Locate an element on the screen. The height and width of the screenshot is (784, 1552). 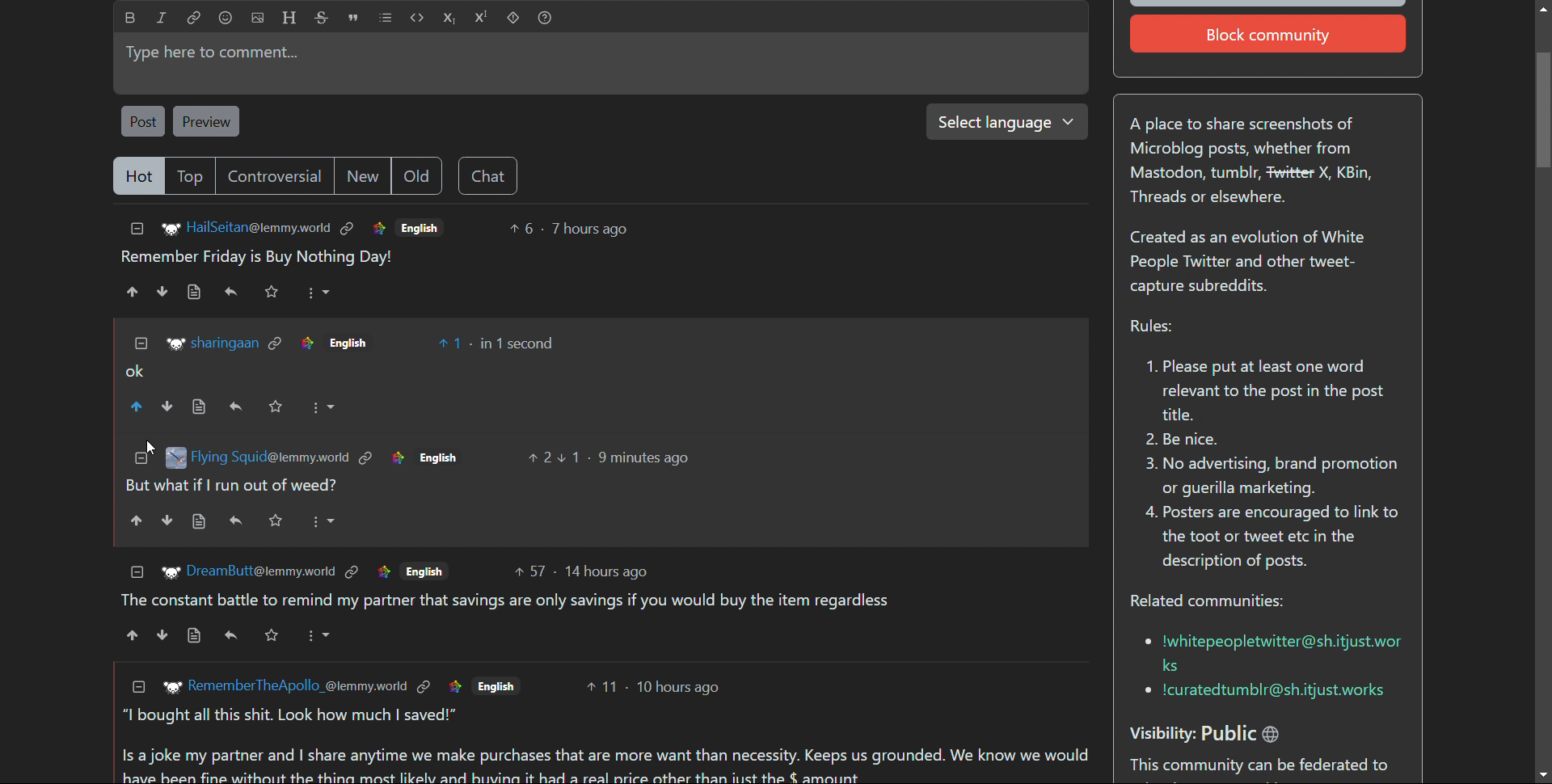
comment is located at coordinates (608, 766).